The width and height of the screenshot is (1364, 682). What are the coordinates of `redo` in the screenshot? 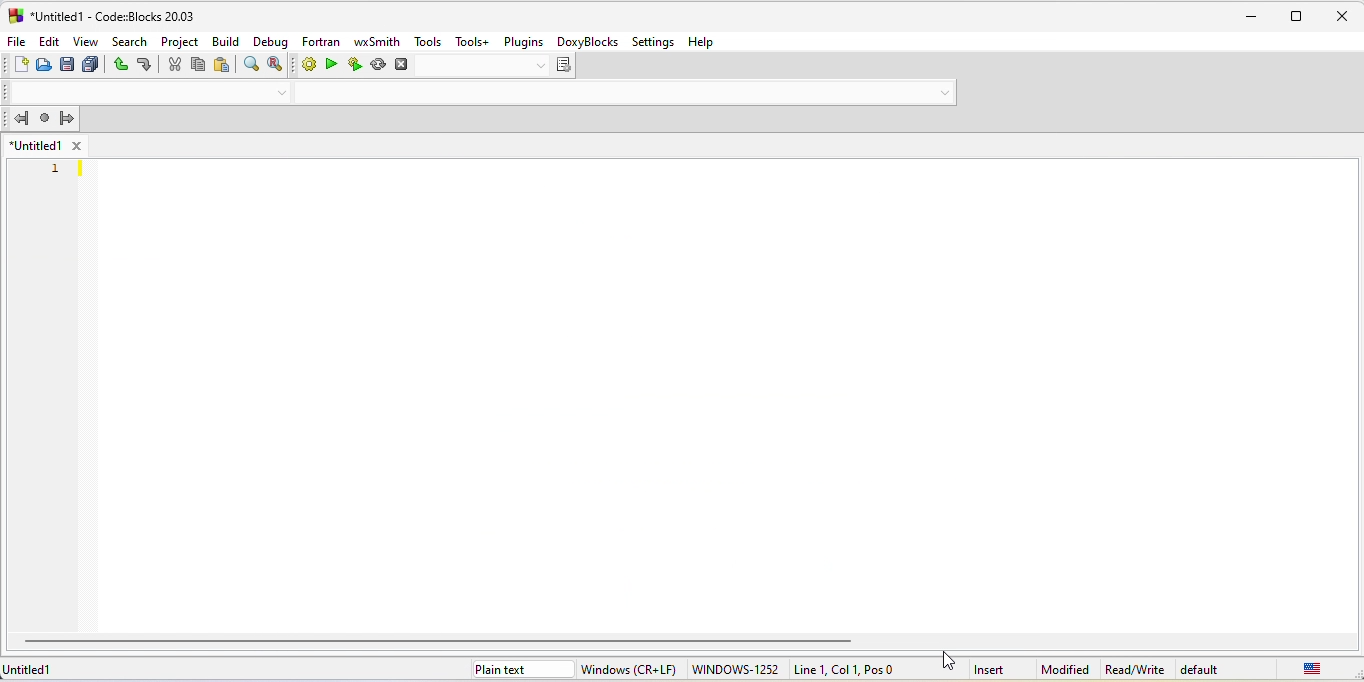 It's located at (145, 64).